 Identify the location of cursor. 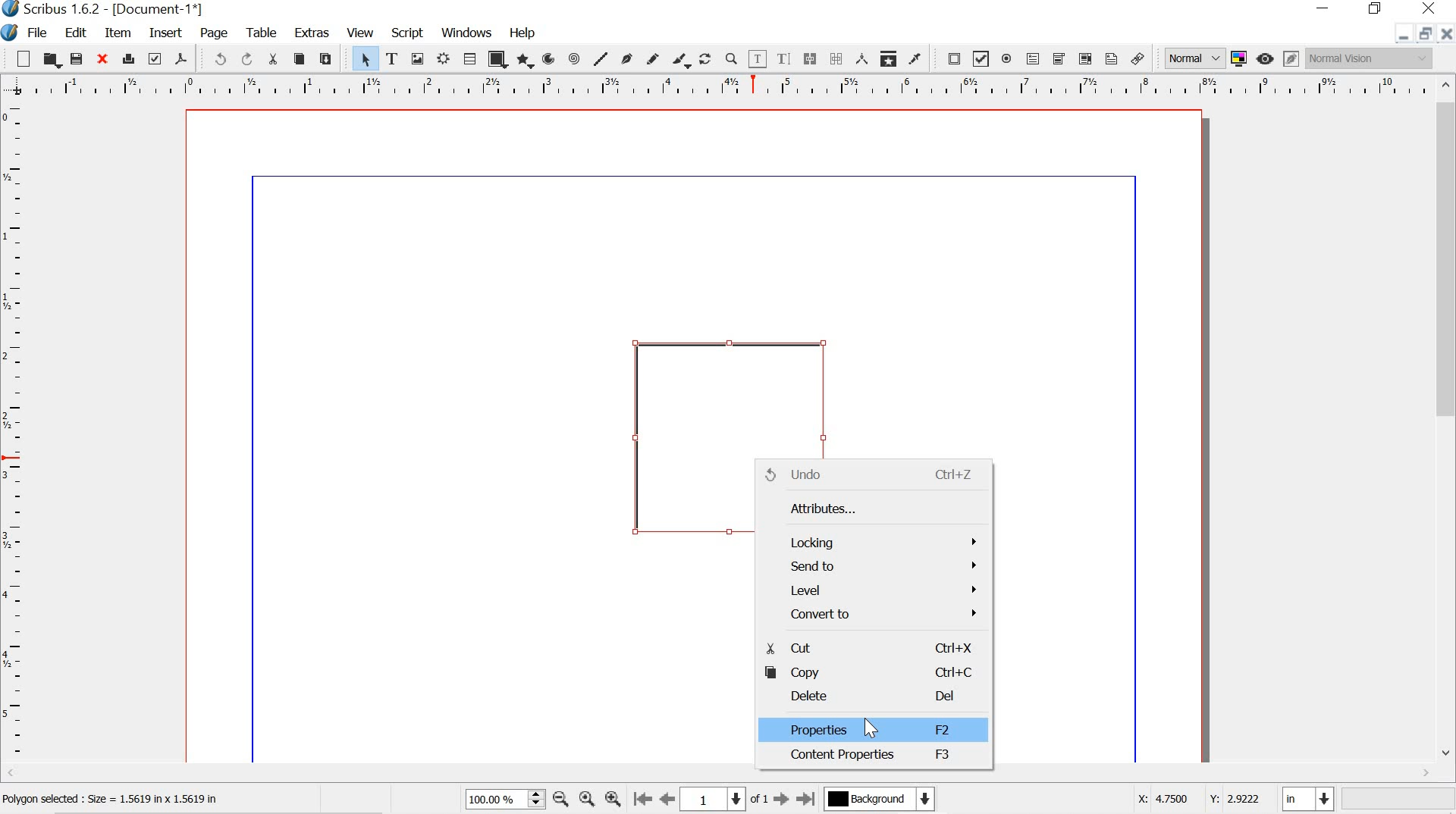
(872, 728).